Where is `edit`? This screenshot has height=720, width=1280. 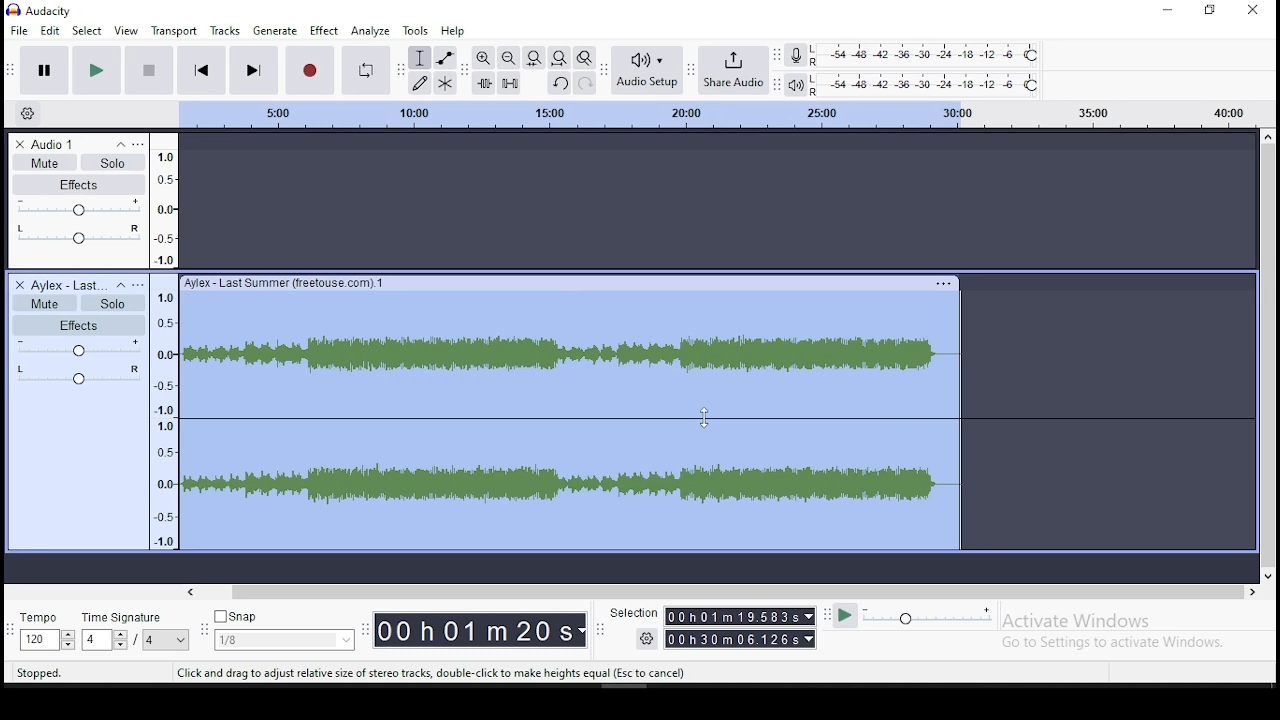 edit is located at coordinates (50, 31).